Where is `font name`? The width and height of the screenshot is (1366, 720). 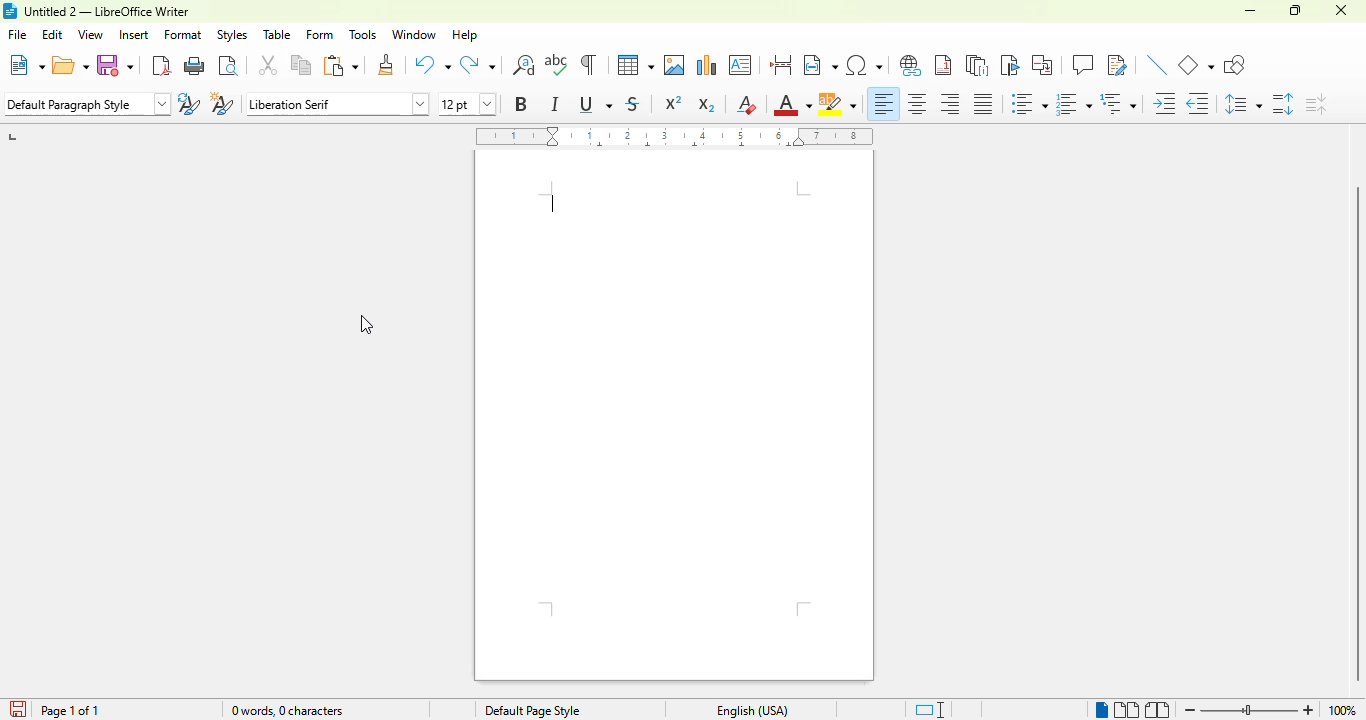
font name is located at coordinates (339, 103).